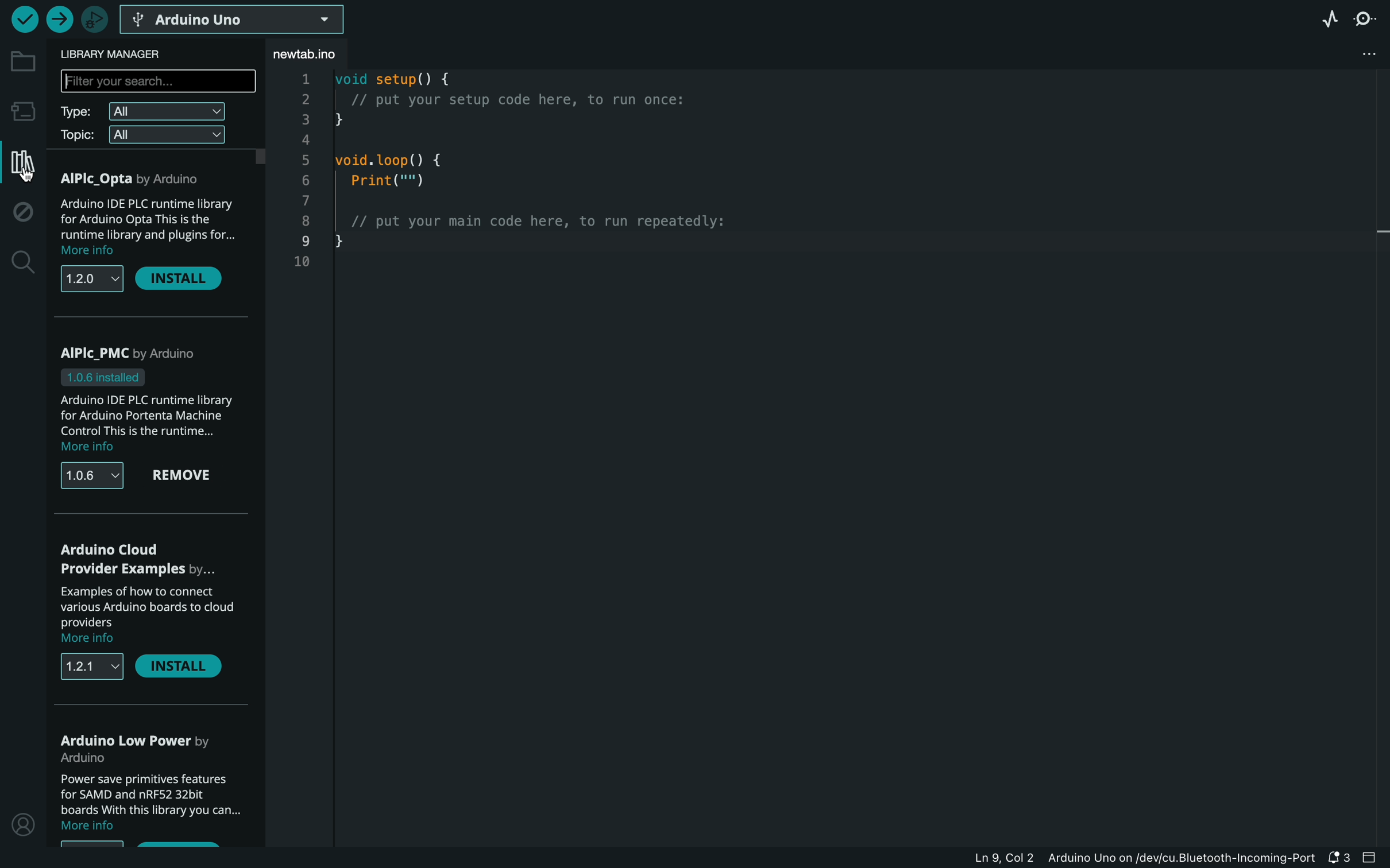 The image size is (1390, 868). What do you see at coordinates (21, 110) in the screenshot?
I see `board manager` at bounding box center [21, 110].